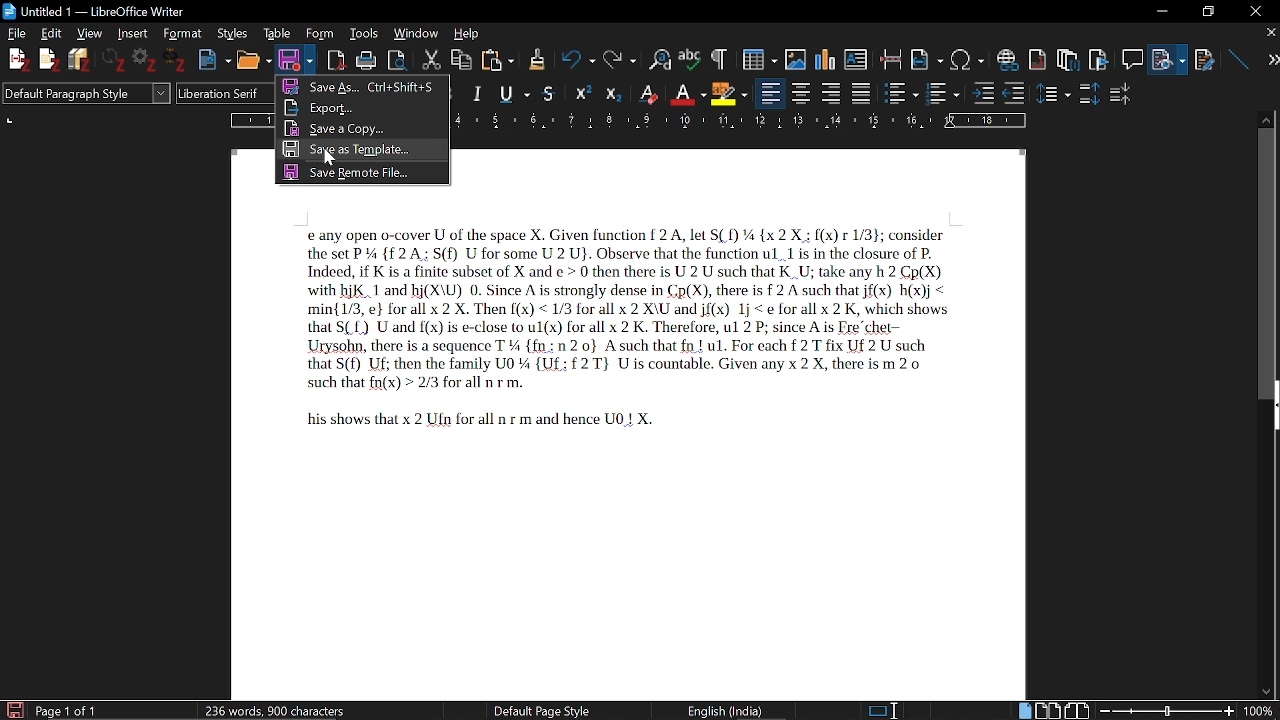  What do you see at coordinates (1171, 56) in the screenshot?
I see `File` at bounding box center [1171, 56].